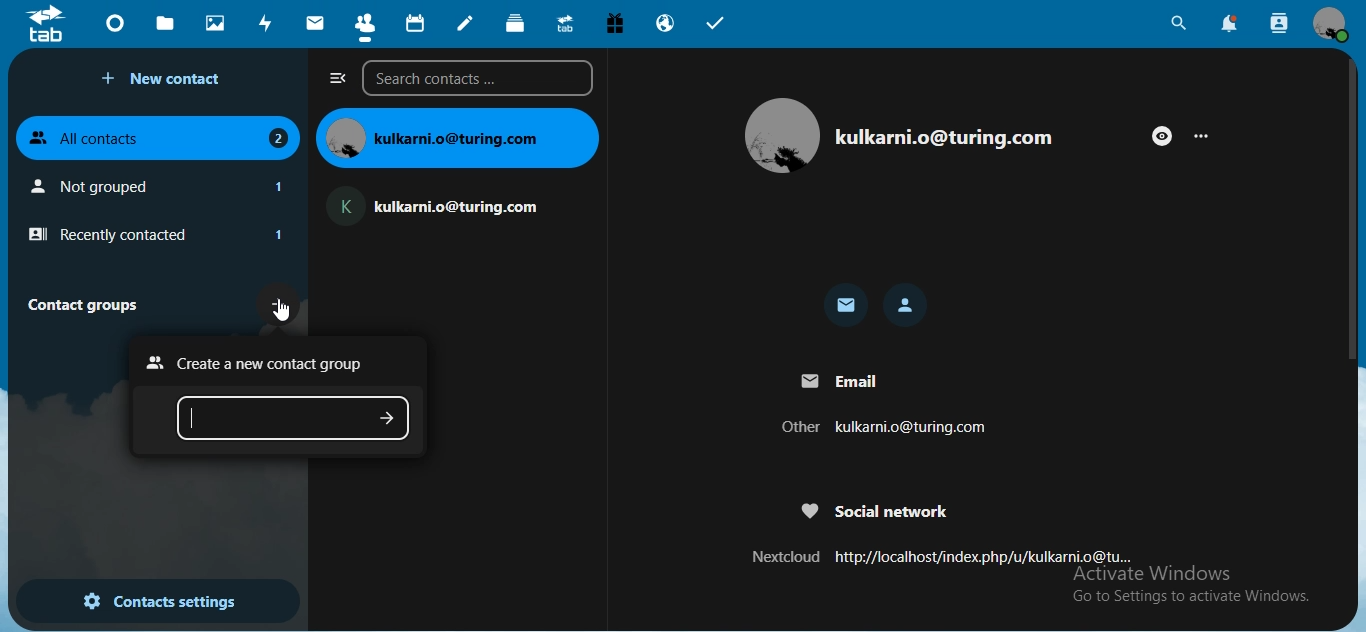 The width and height of the screenshot is (1366, 632). Describe the element at coordinates (284, 316) in the screenshot. I see `cursor` at that location.